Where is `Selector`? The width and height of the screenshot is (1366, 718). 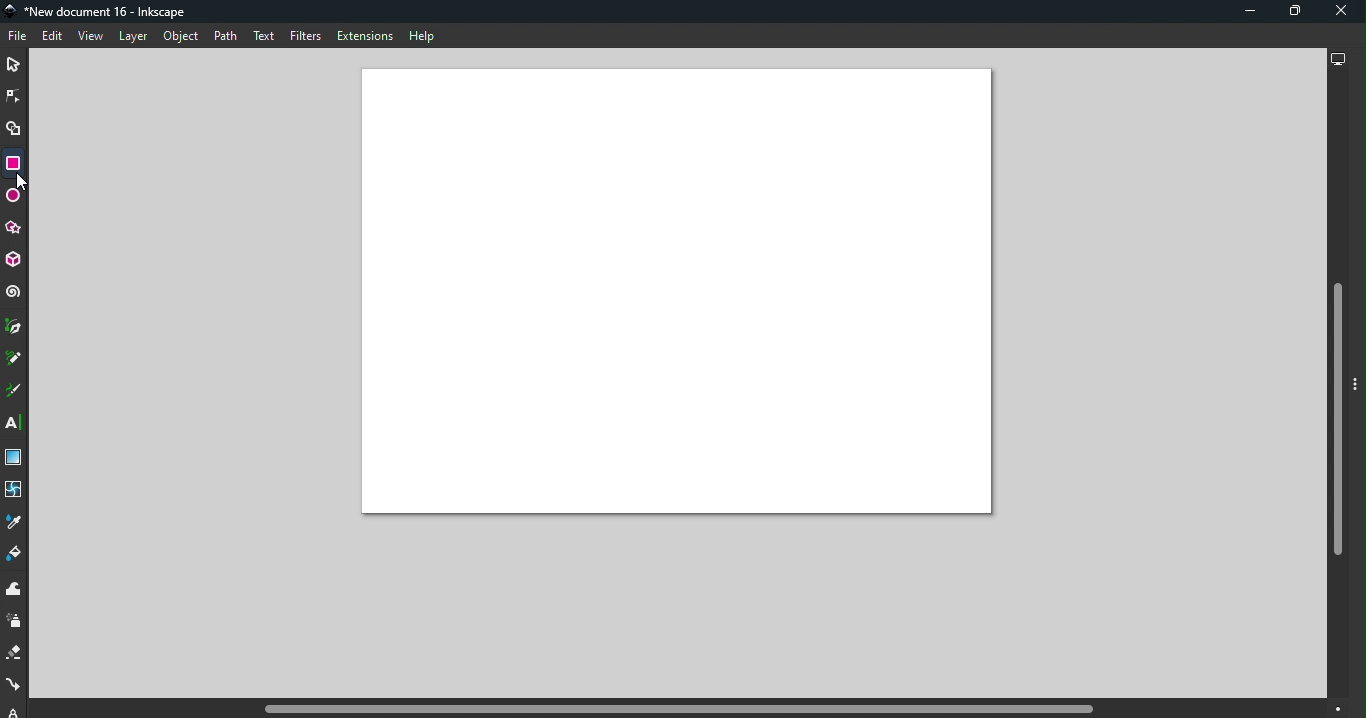 Selector is located at coordinates (13, 66).